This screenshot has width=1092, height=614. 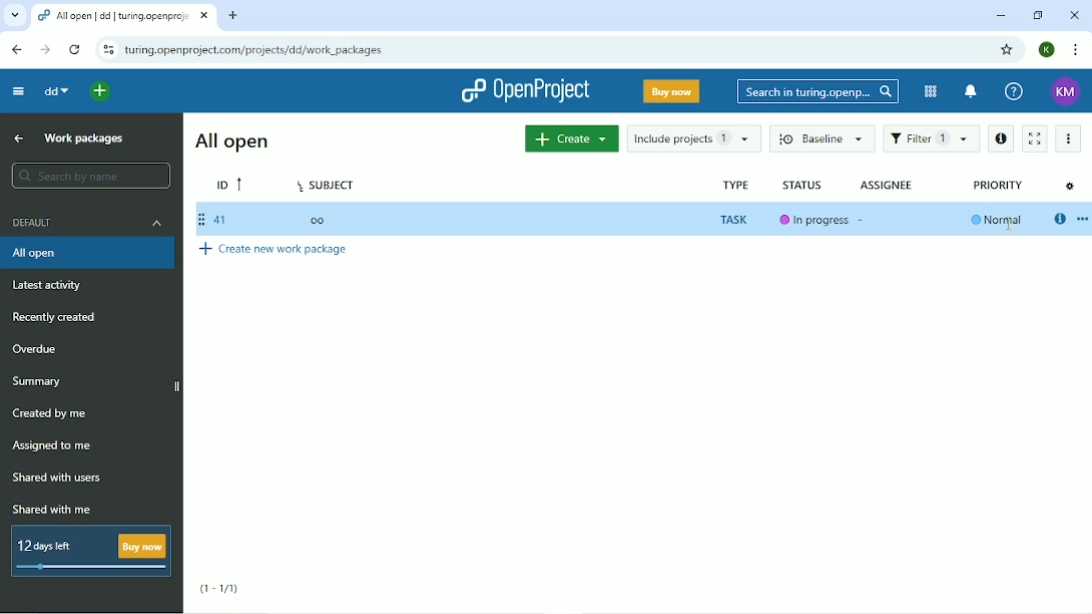 What do you see at coordinates (694, 139) in the screenshot?
I see `Include projects 1` at bounding box center [694, 139].